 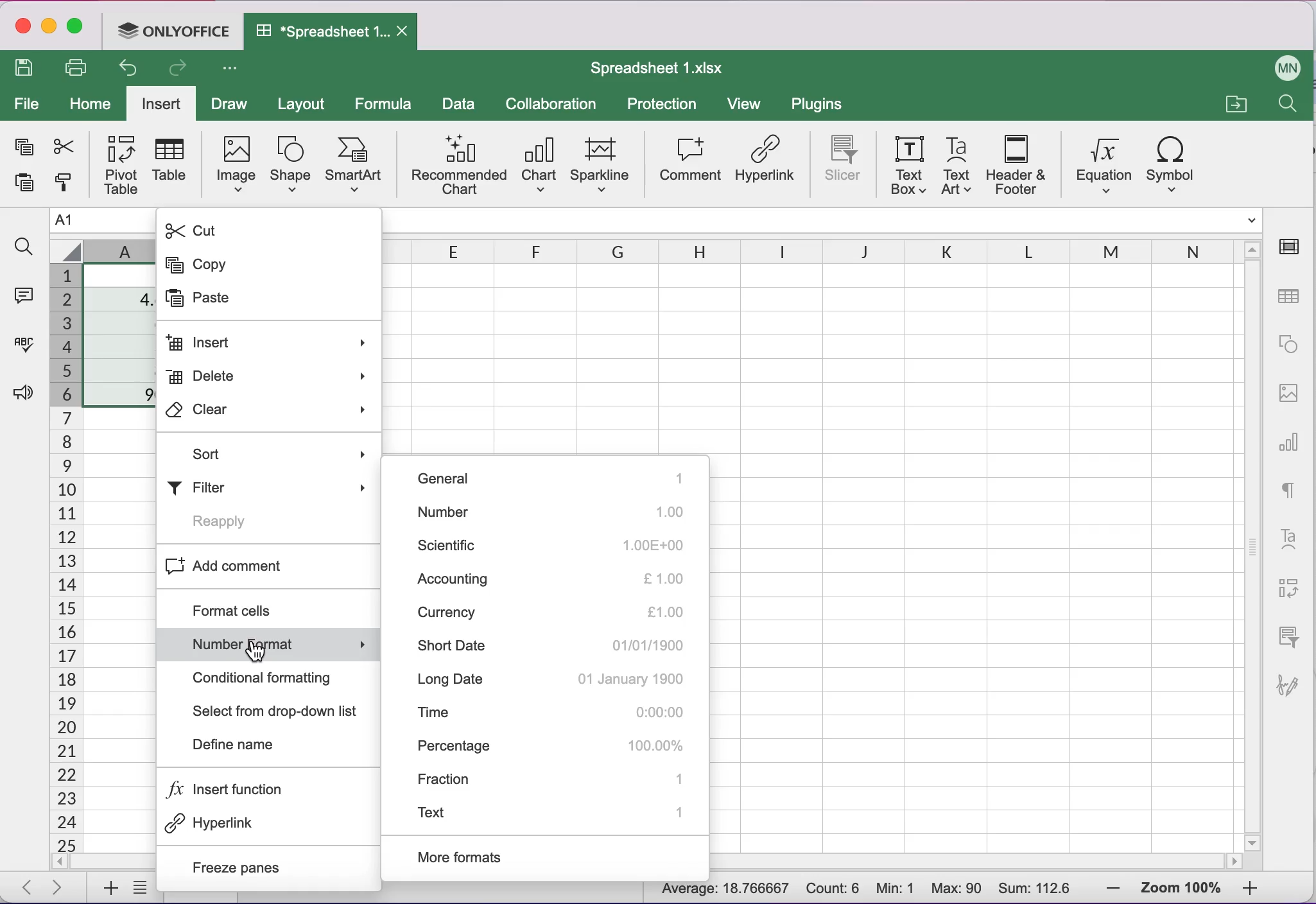 I want to click on maximize, so click(x=76, y=30).